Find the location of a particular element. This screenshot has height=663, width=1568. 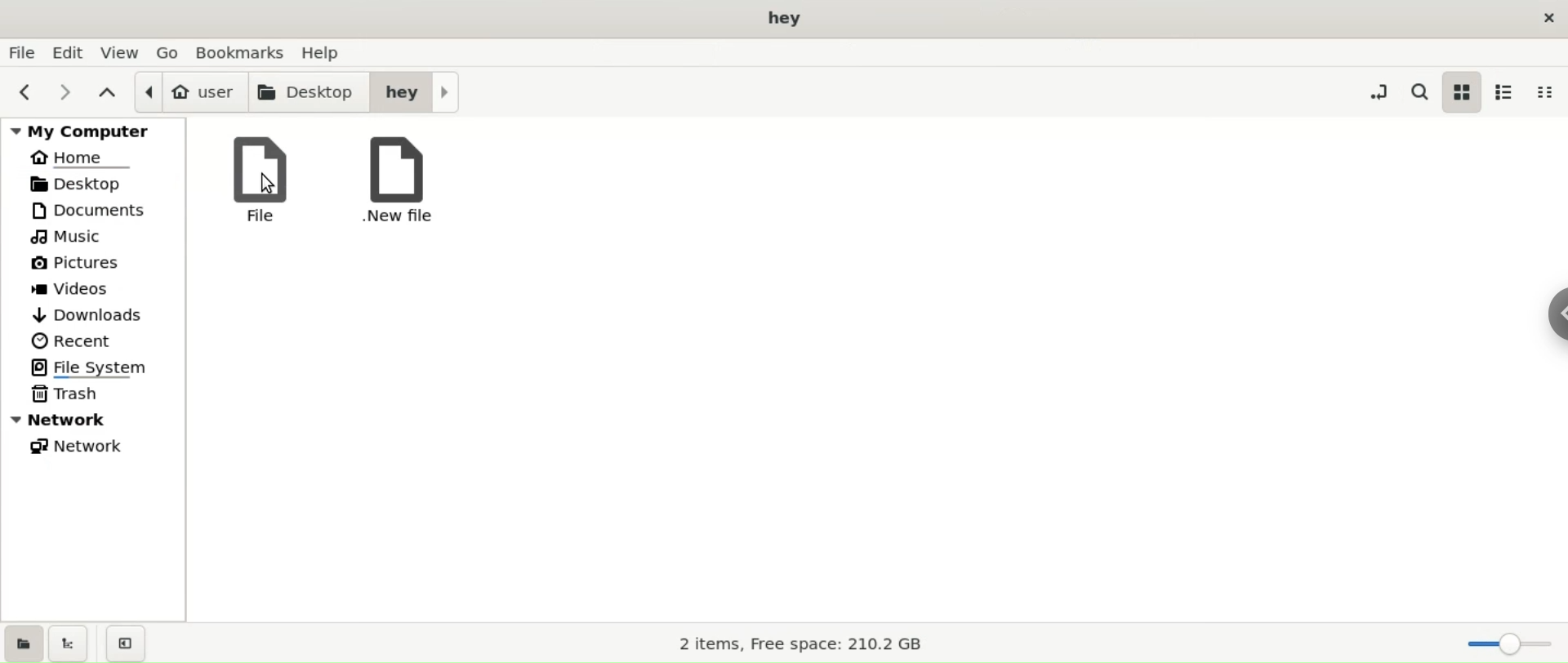

compact view is located at coordinates (1549, 92).